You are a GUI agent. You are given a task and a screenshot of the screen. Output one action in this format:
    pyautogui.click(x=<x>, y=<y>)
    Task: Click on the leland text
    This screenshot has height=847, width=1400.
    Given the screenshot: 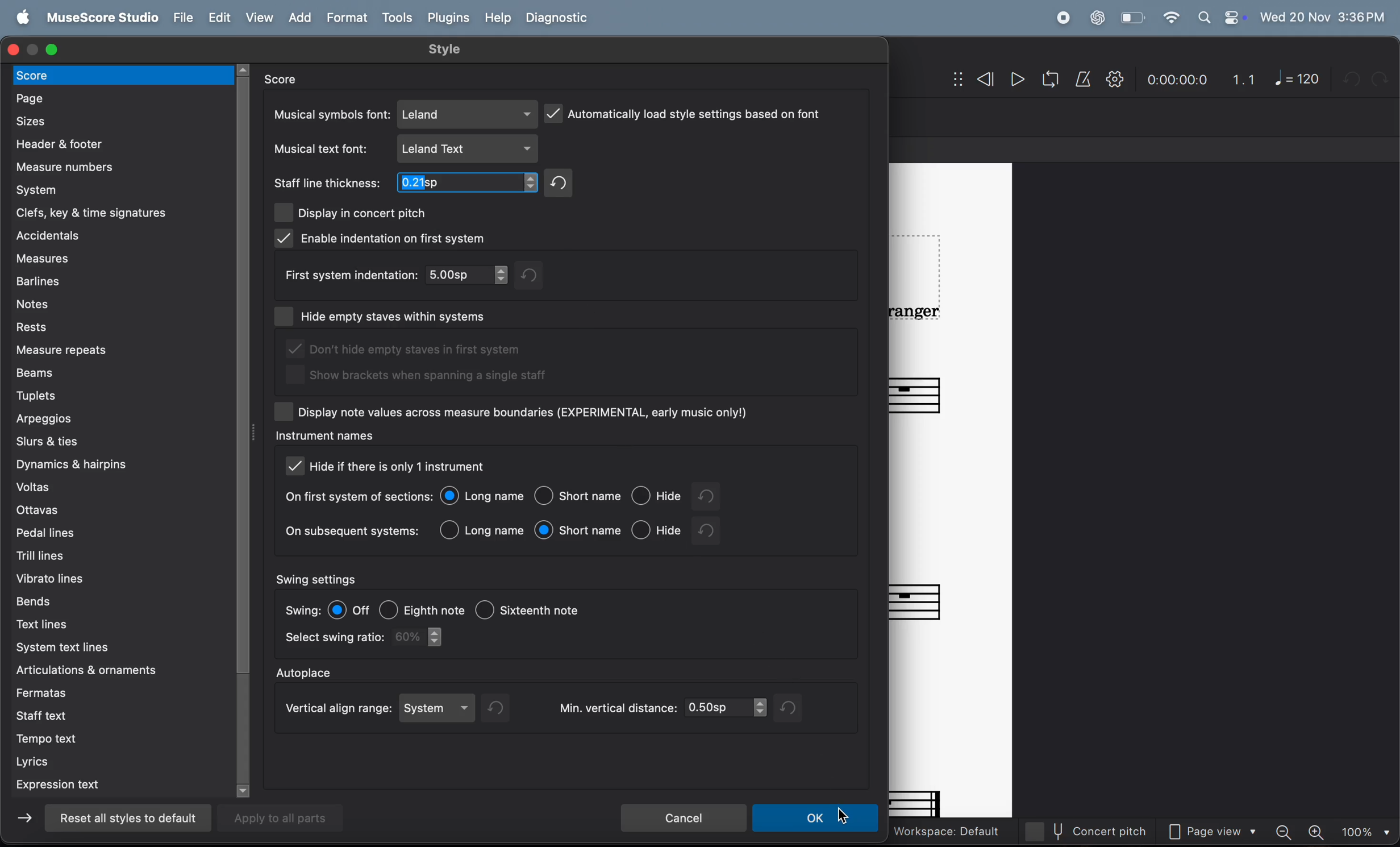 What is the action you would take?
    pyautogui.click(x=469, y=149)
    